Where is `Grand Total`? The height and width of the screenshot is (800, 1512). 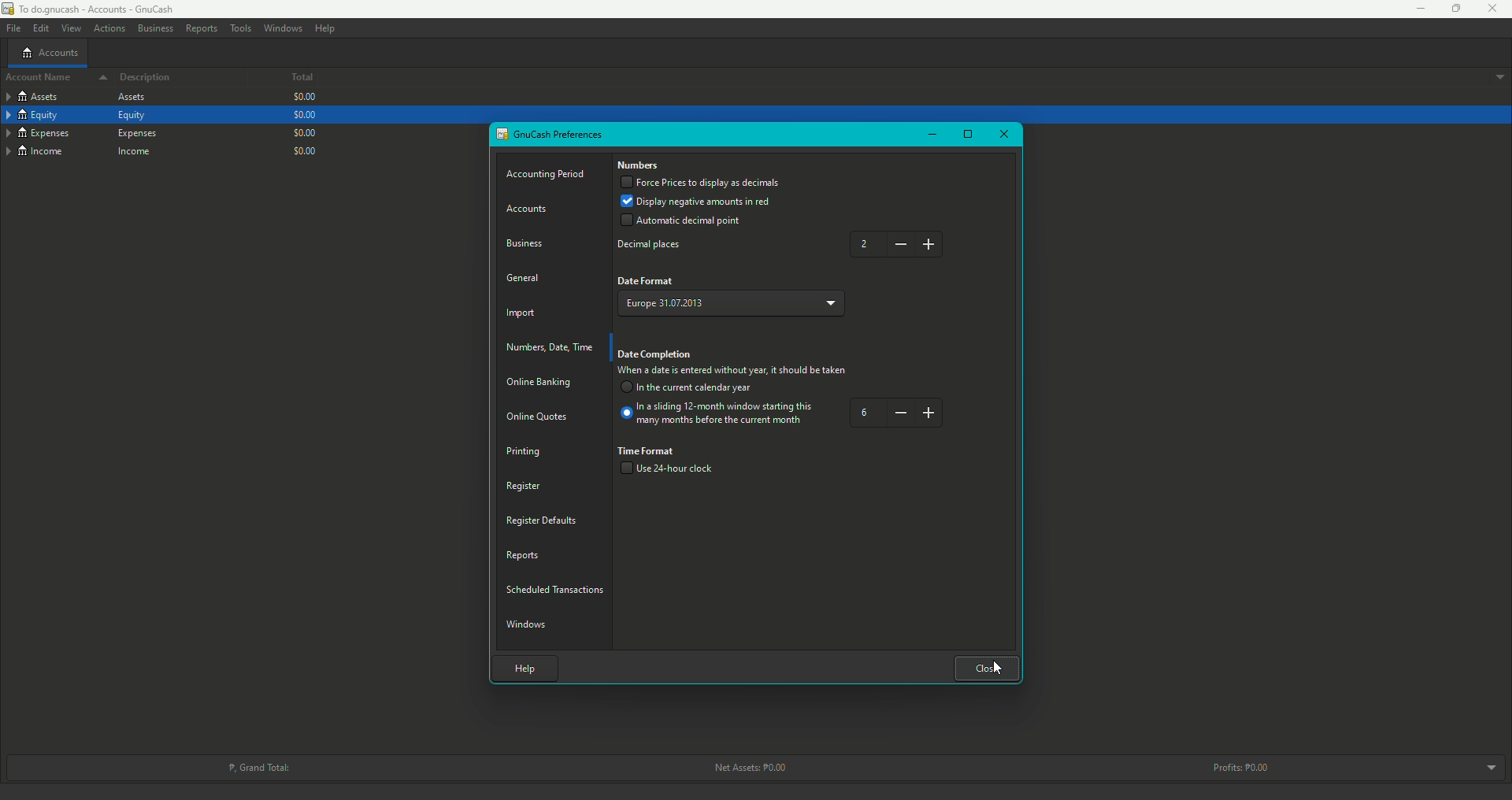 Grand Total is located at coordinates (258, 766).